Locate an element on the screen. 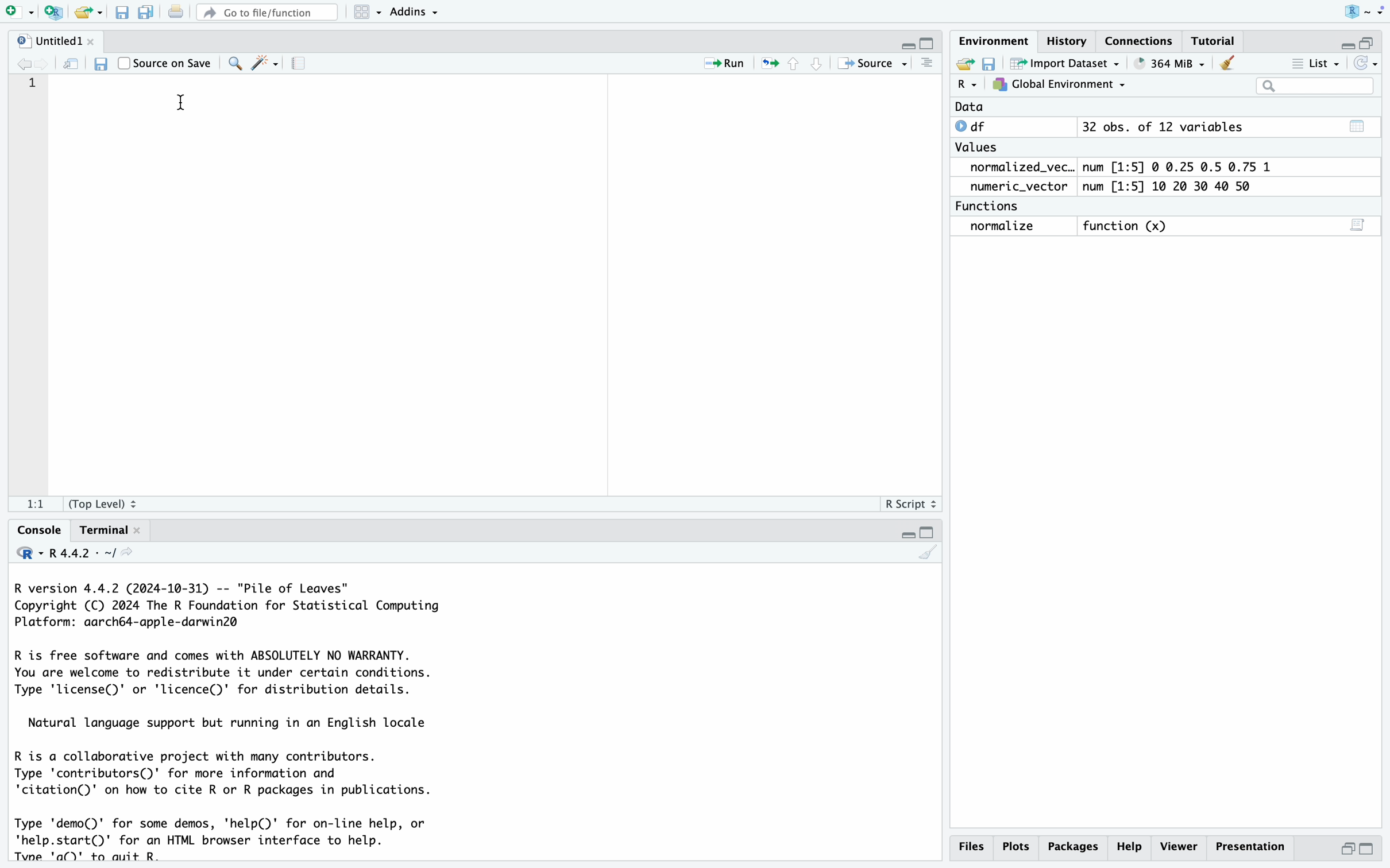  Environment is located at coordinates (993, 41).